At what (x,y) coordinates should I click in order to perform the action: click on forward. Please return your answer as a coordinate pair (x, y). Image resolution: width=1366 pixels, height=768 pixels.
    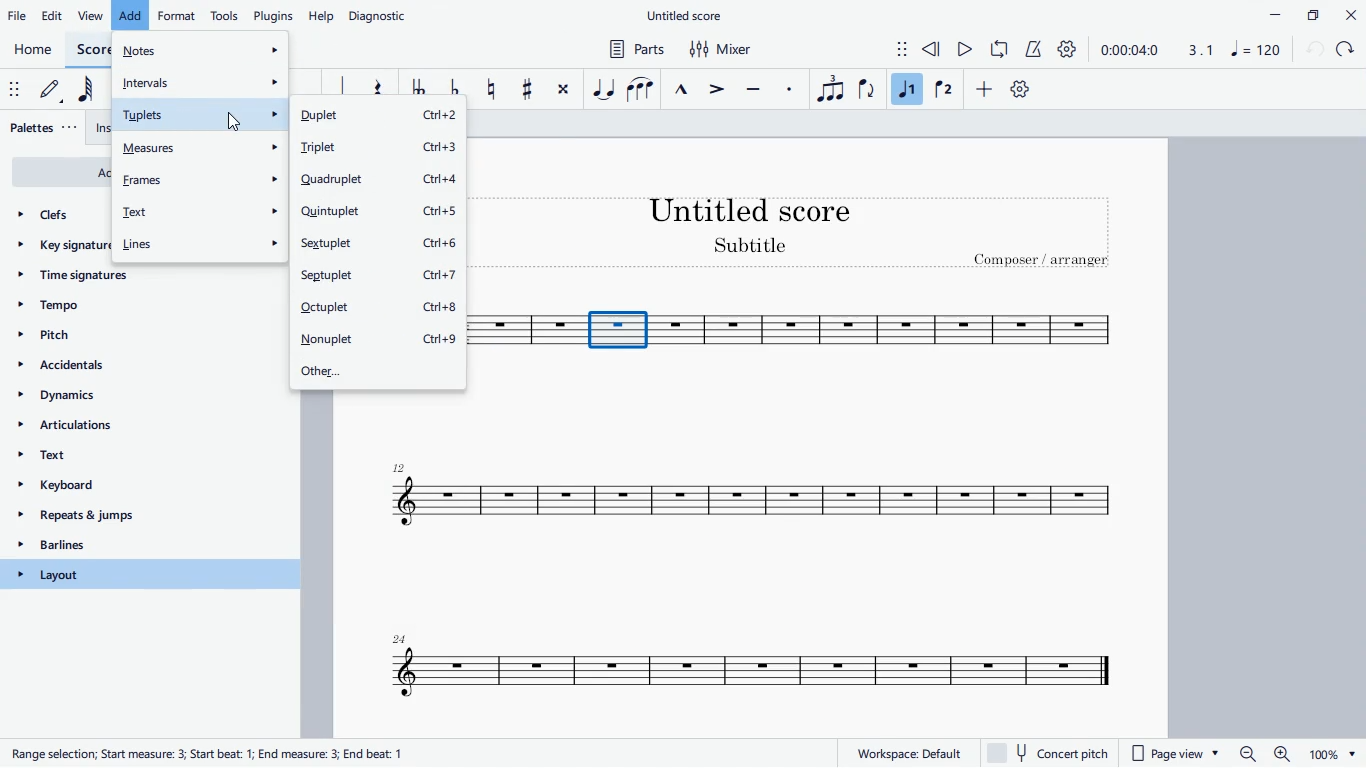
    Looking at the image, I should click on (1348, 50).